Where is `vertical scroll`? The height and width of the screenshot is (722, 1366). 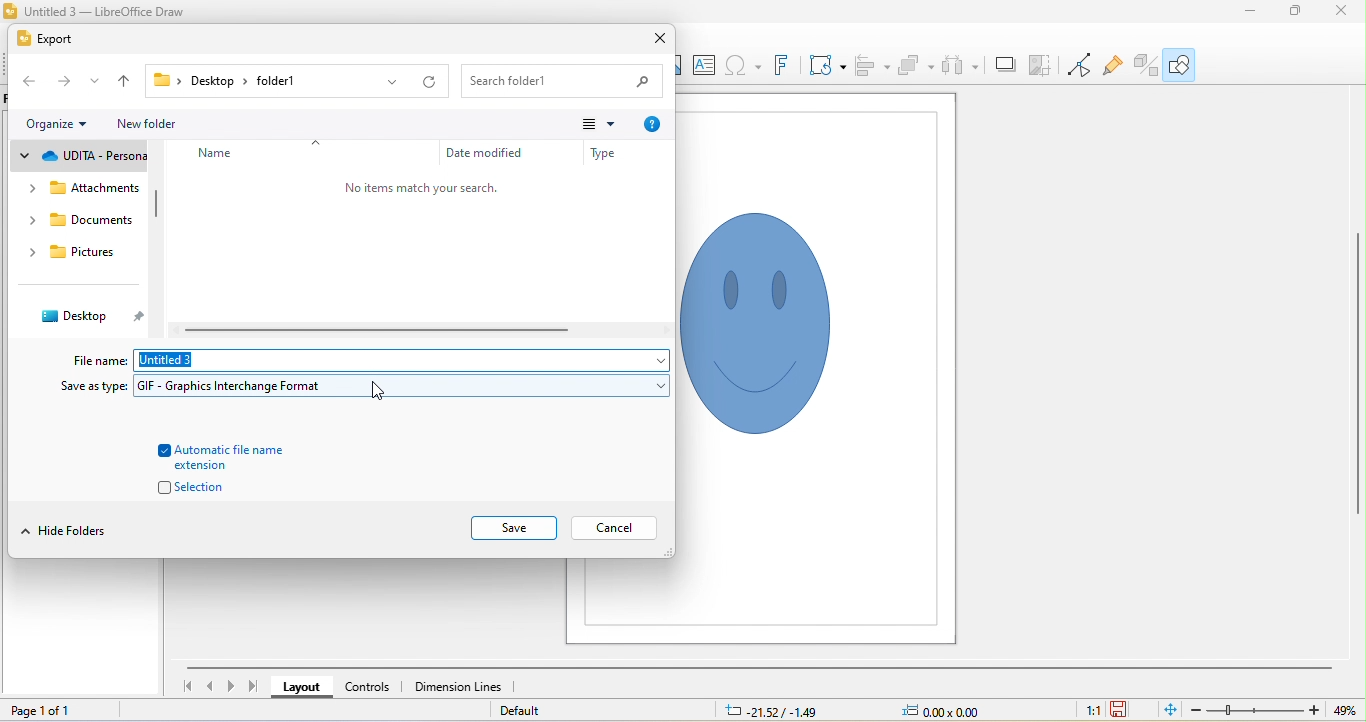
vertical scroll is located at coordinates (1351, 380).